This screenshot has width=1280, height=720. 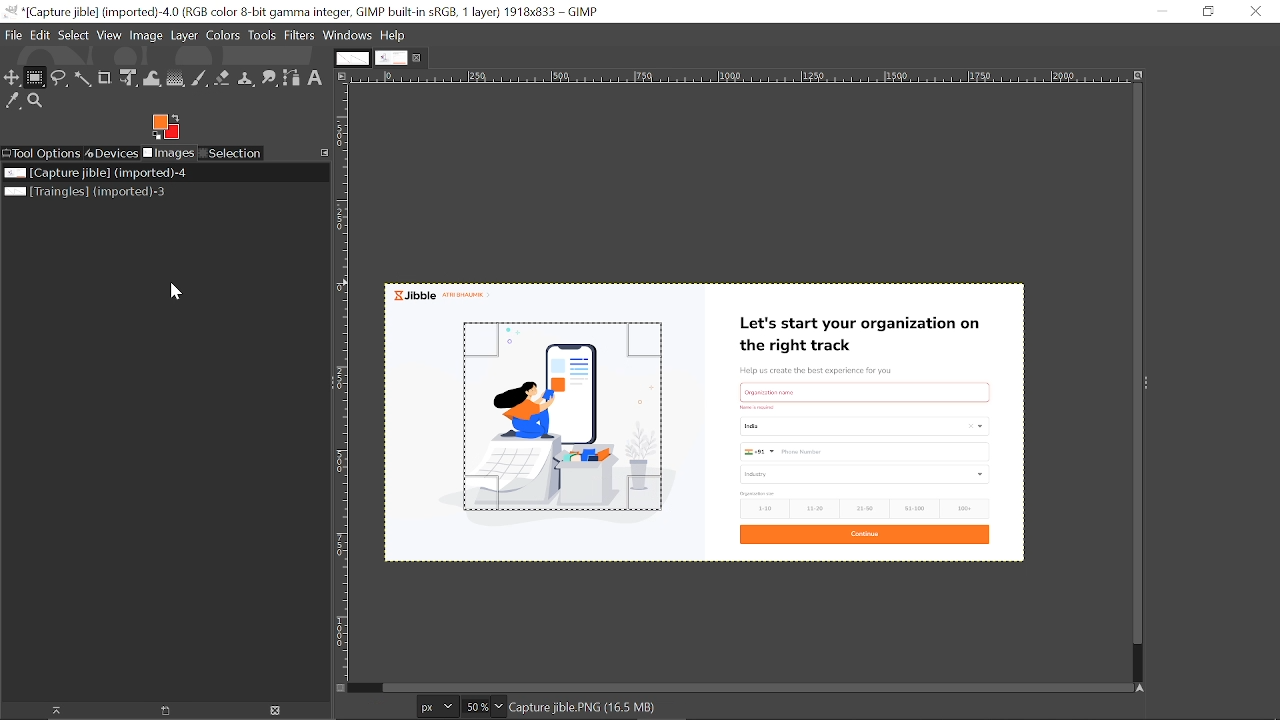 What do you see at coordinates (264, 37) in the screenshot?
I see `Tools` at bounding box center [264, 37].